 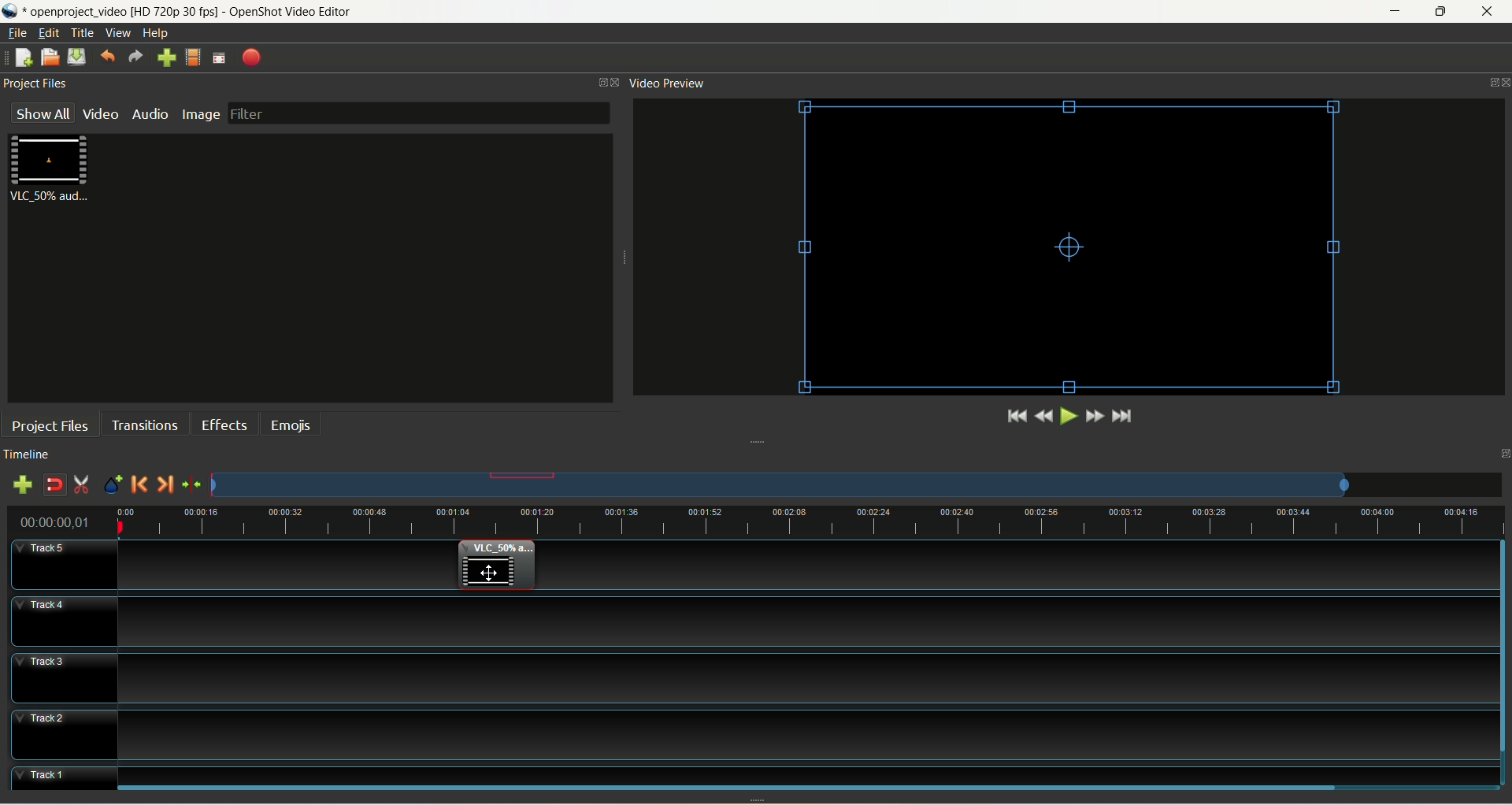 What do you see at coordinates (65, 565) in the screenshot?
I see `track5` at bounding box center [65, 565].